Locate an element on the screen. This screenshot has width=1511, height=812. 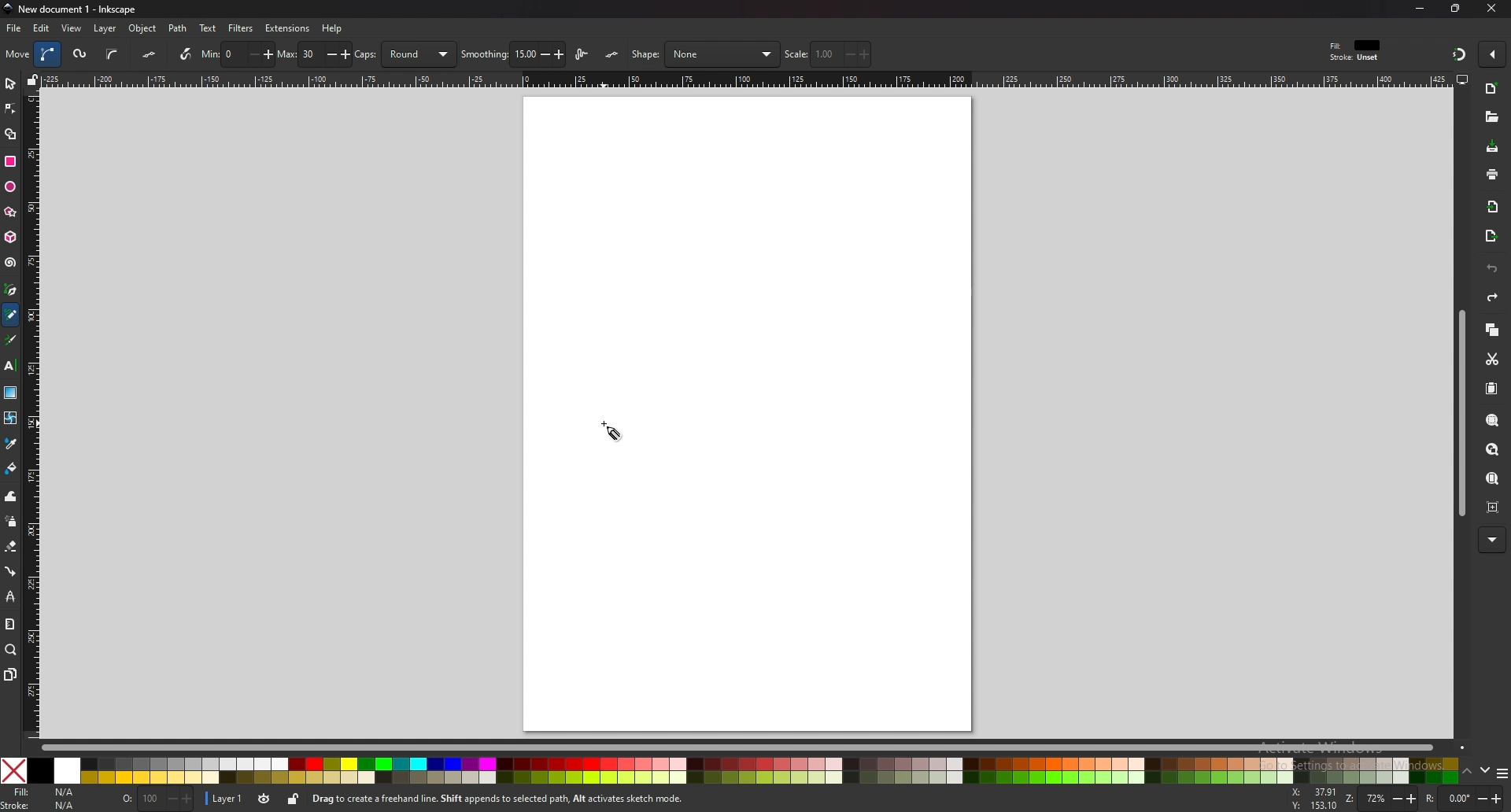
fill is located at coordinates (43, 792).